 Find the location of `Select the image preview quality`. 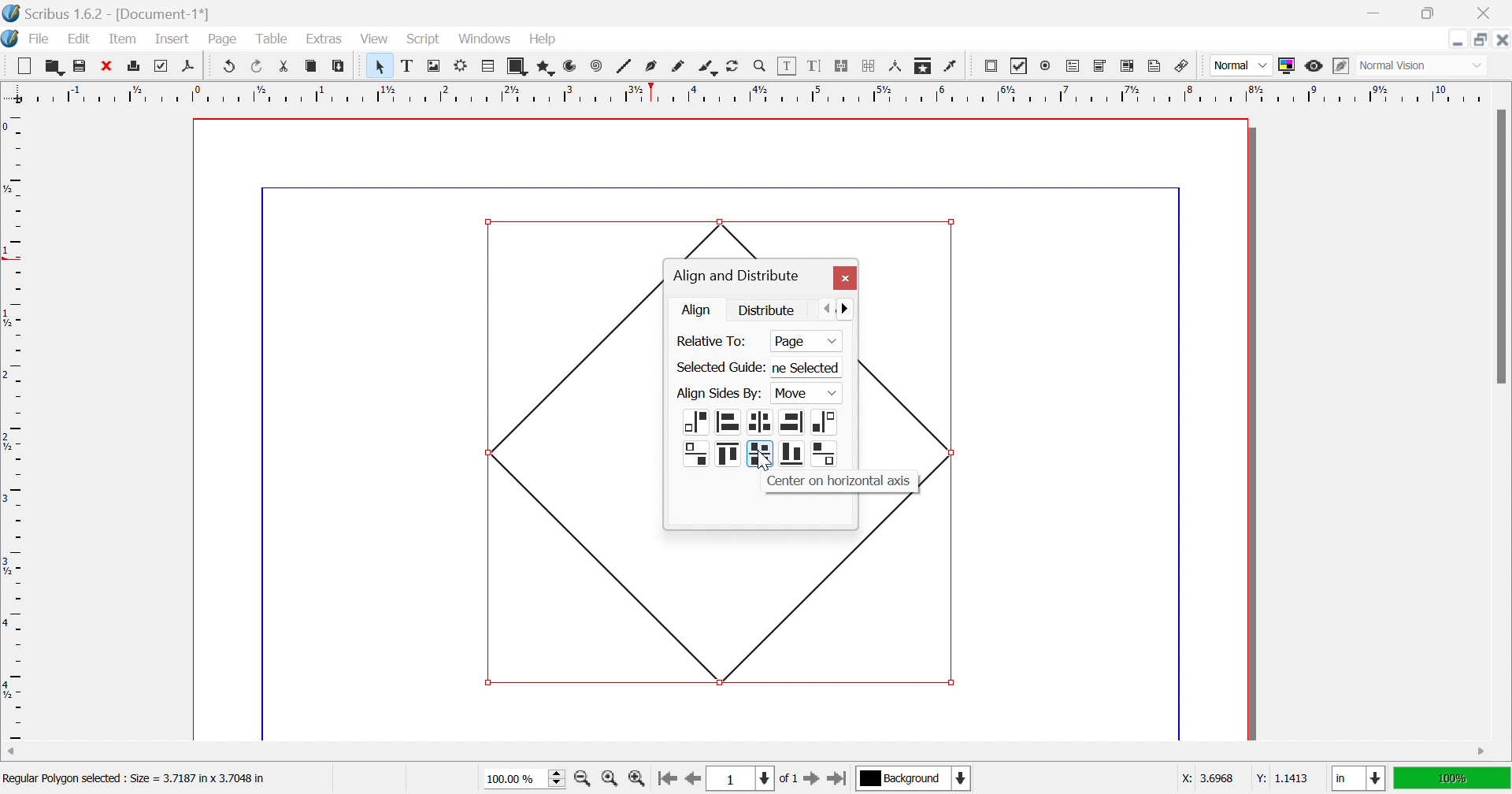

Select the image preview quality is located at coordinates (1240, 65).